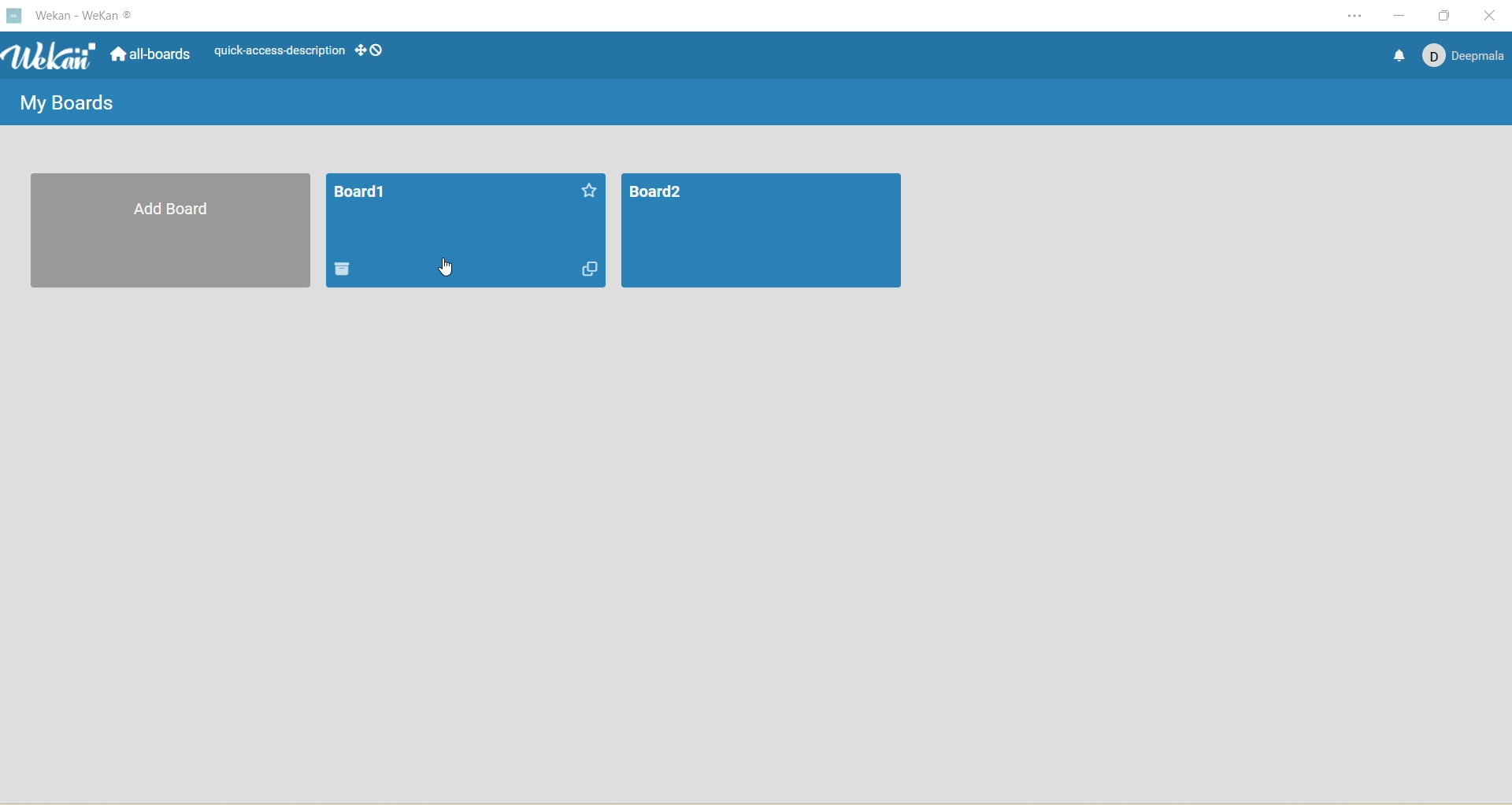 The image size is (1512, 805). I want to click on delete, so click(342, 269).